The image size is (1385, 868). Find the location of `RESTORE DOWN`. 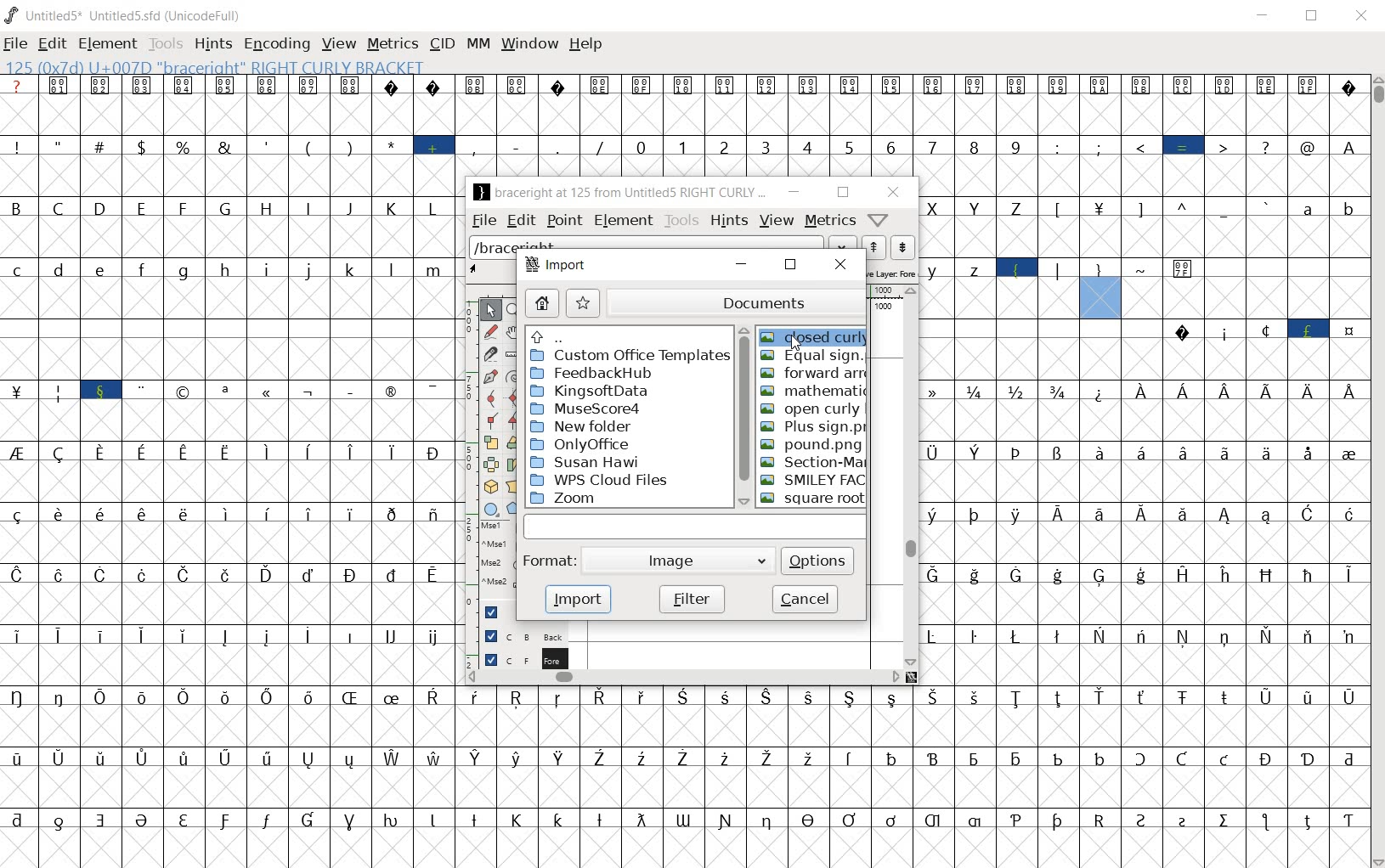

RESTORE DOWN is located at coordinates (1315, 17).